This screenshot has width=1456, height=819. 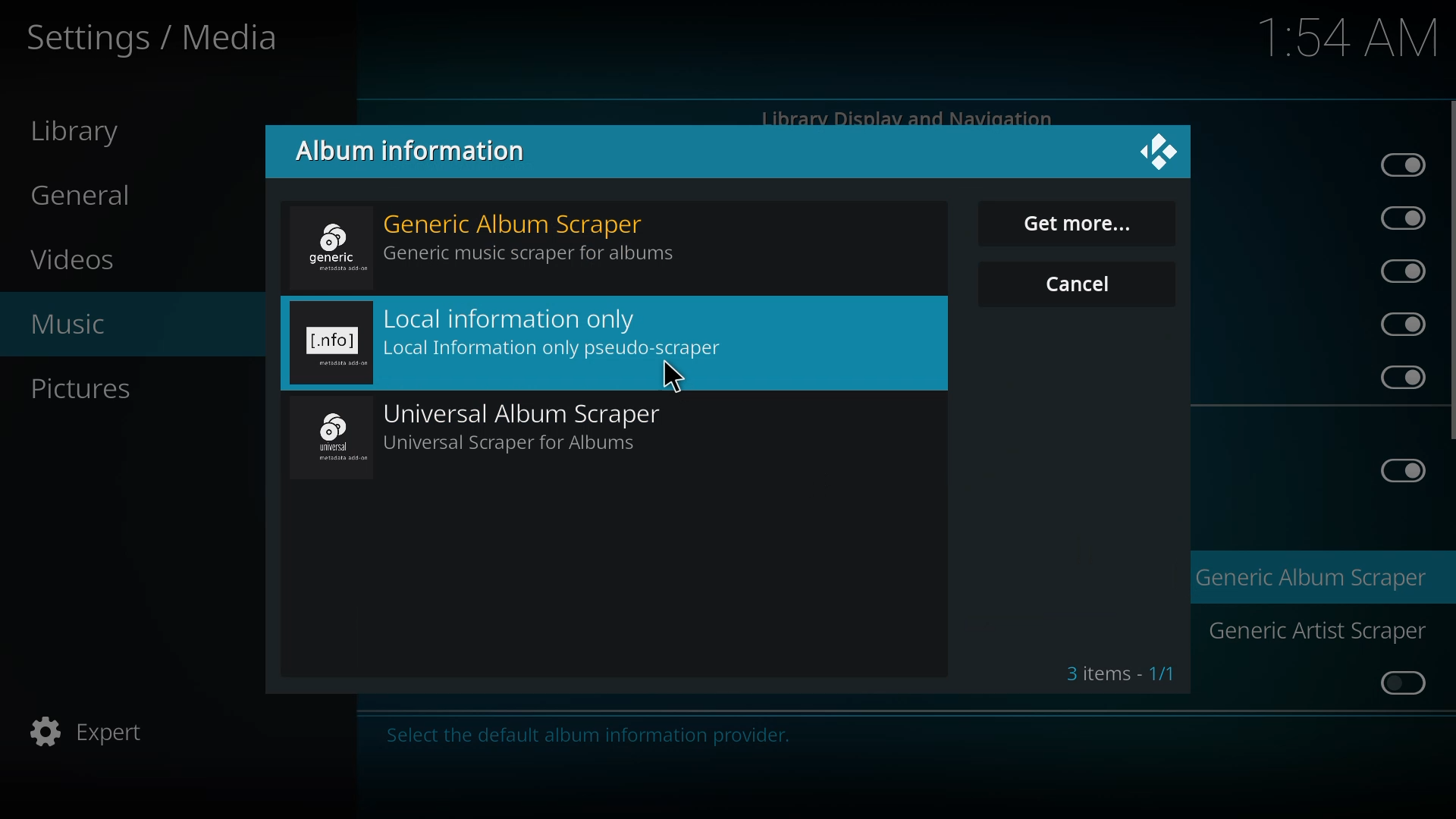 What do you see at coordinates (520, 346) in the screenshot?
I see `local information only` at bounding box center [520, 346].